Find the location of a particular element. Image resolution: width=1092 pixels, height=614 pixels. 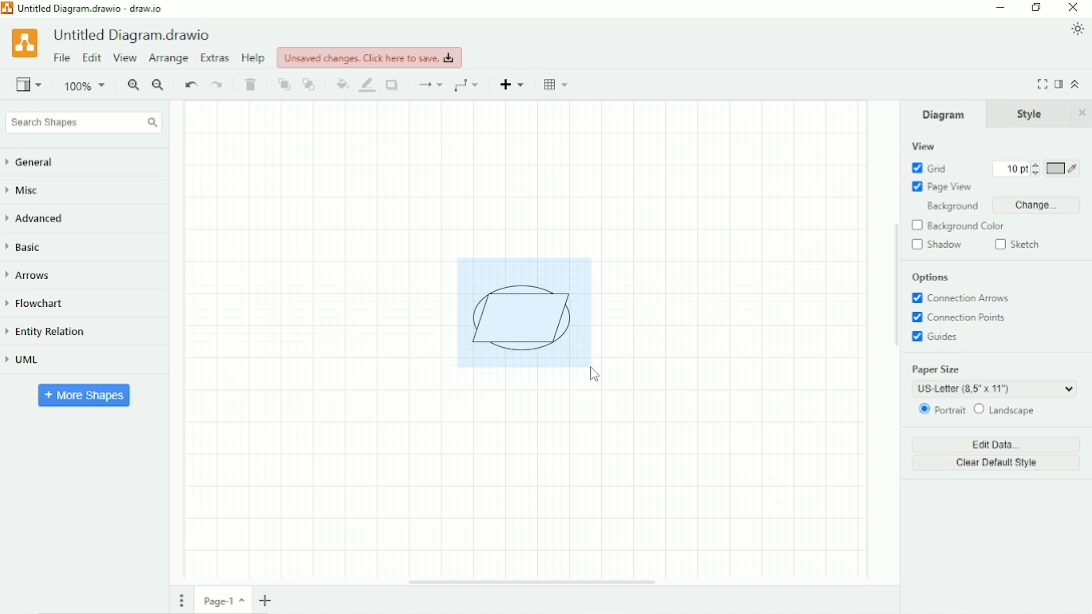

Insert is located at coordinates (514, 84).